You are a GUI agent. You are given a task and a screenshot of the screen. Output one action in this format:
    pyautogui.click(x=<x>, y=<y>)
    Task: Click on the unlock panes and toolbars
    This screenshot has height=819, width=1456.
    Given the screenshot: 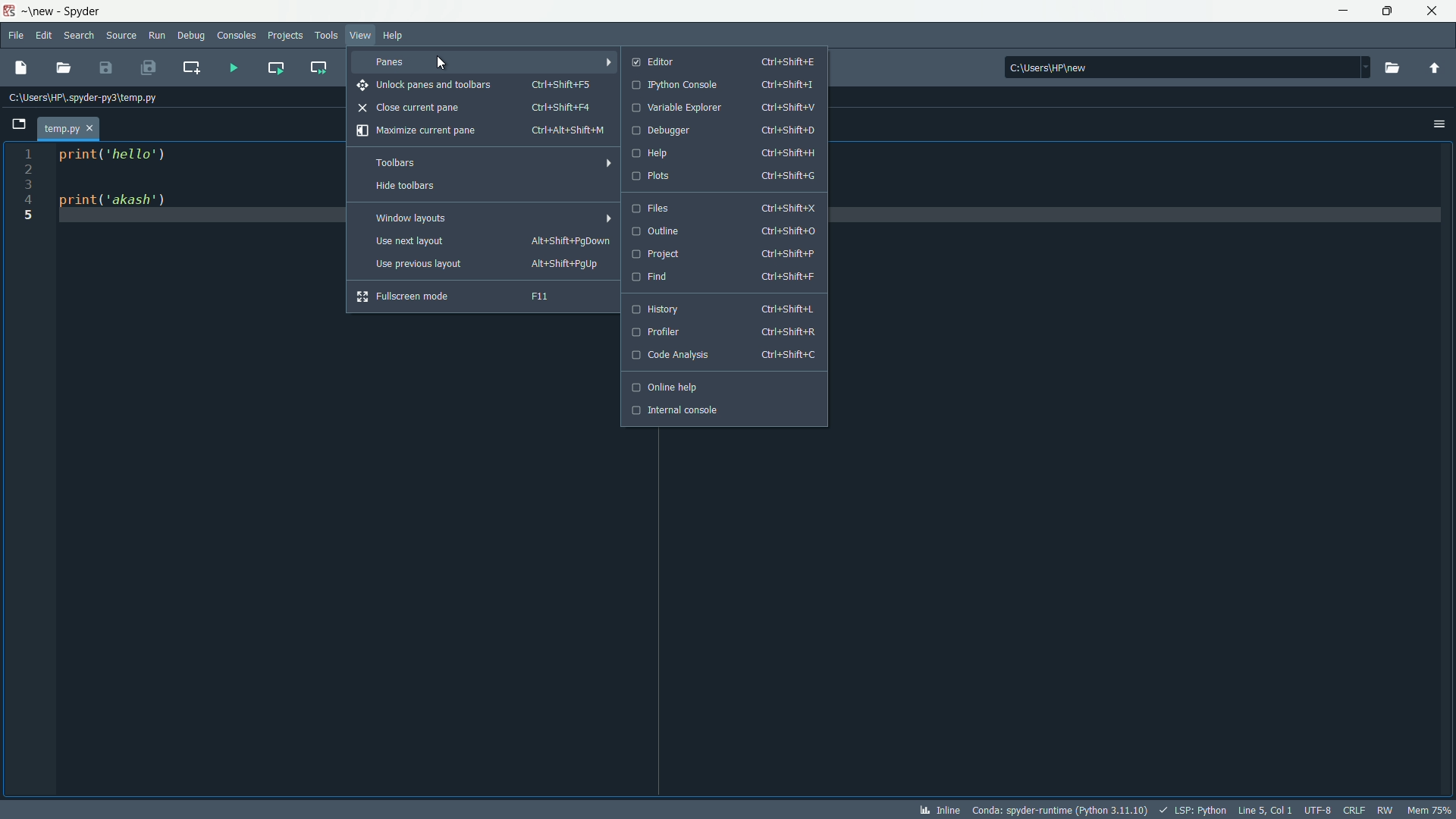 What is the action you would take?
    pyautogui.click(x=479, y=86)
    